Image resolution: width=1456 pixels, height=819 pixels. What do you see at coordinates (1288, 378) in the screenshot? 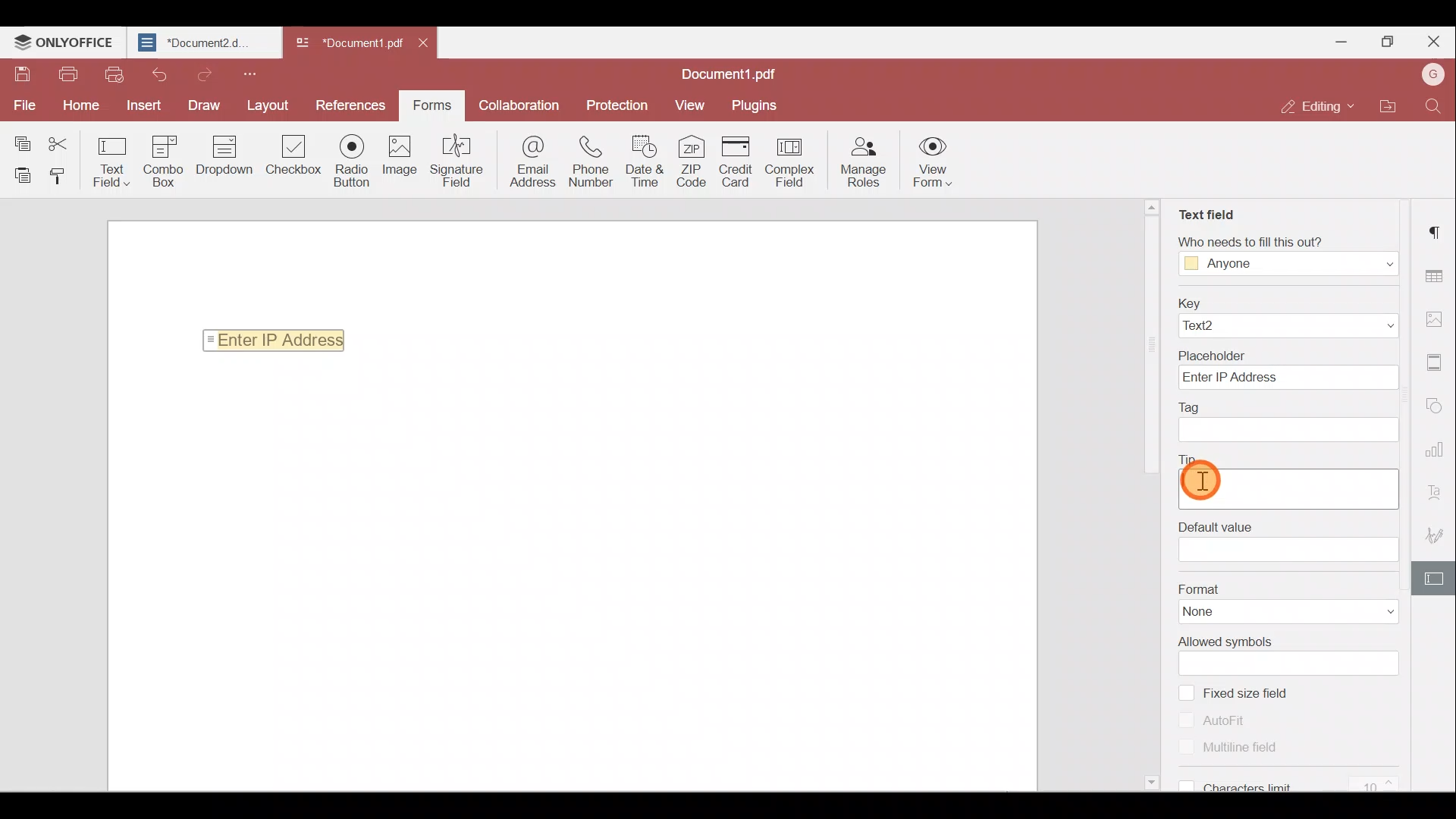
I see `Enter IP Address` at bounding box center [1288, 378].